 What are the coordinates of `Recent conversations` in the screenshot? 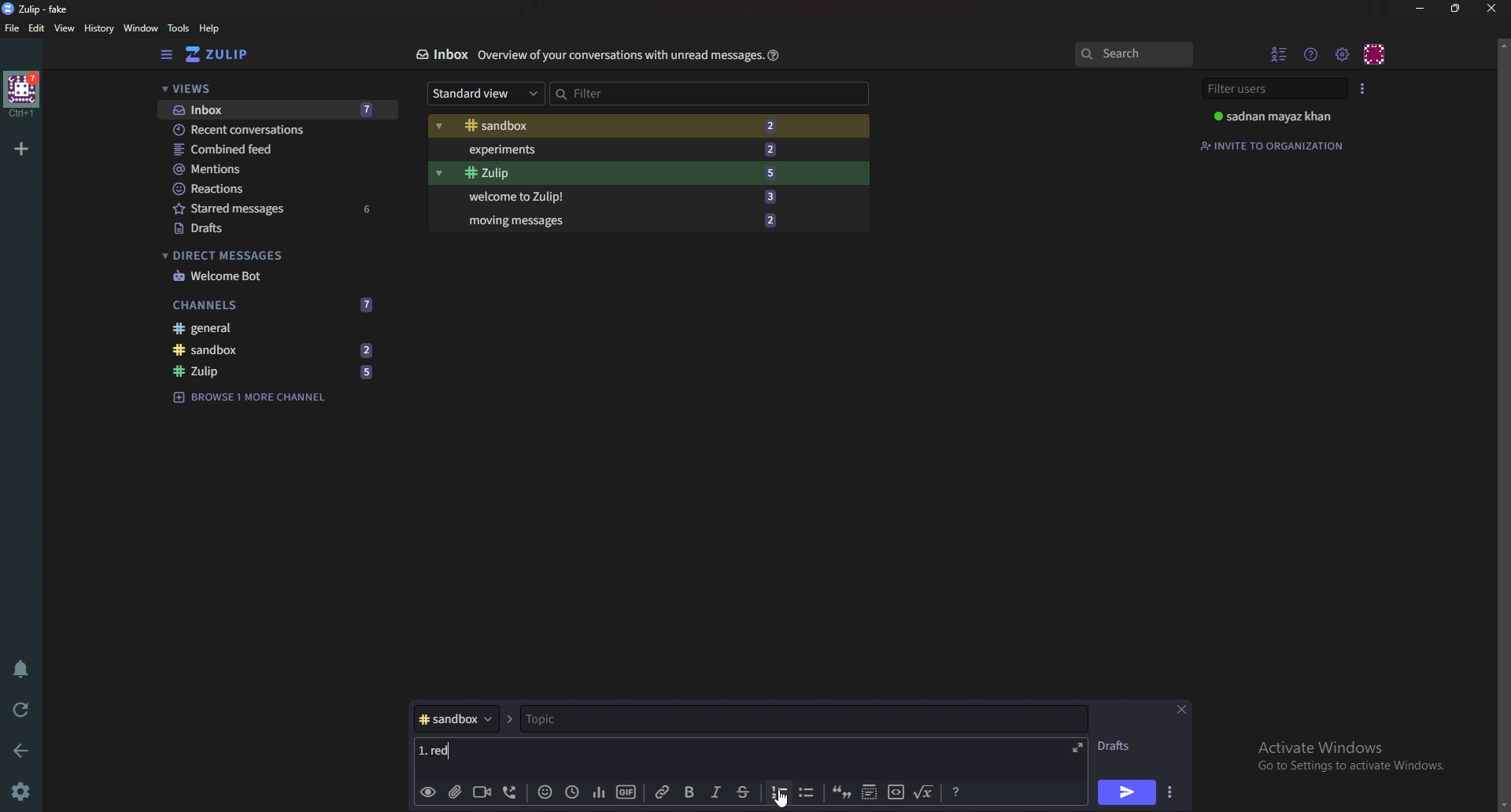 It's located at (278, 131).